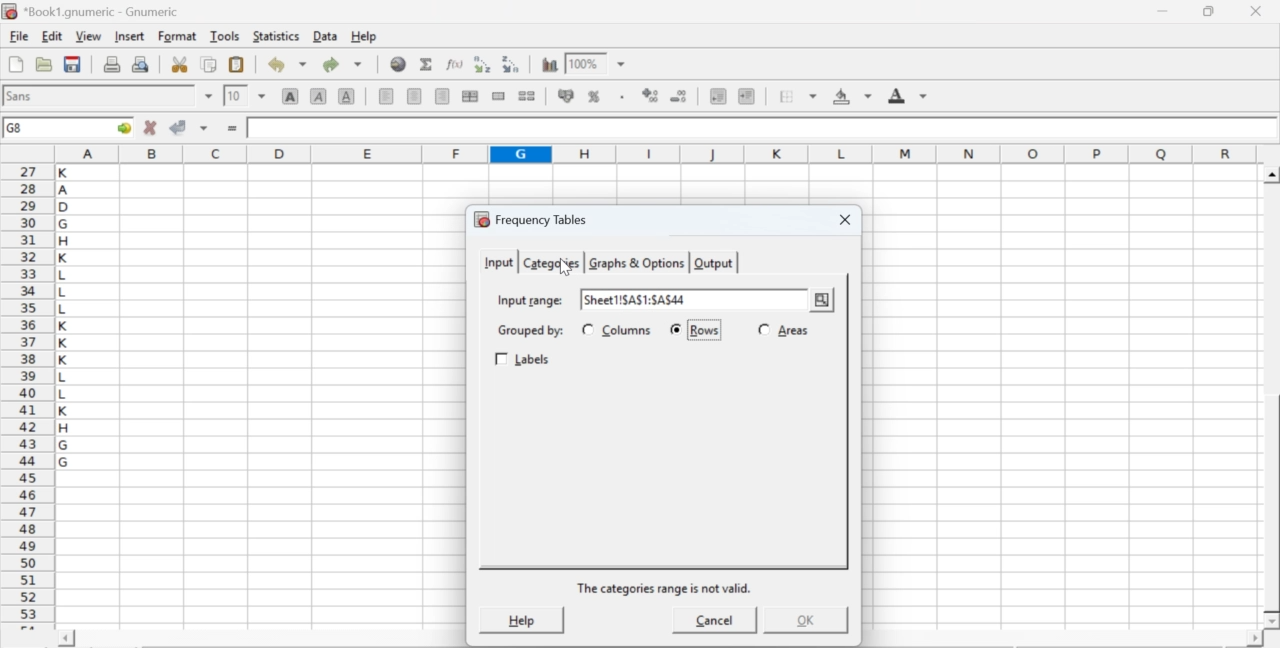 The image size is (1280, 648). I want to click on tools, so click(226, 35).